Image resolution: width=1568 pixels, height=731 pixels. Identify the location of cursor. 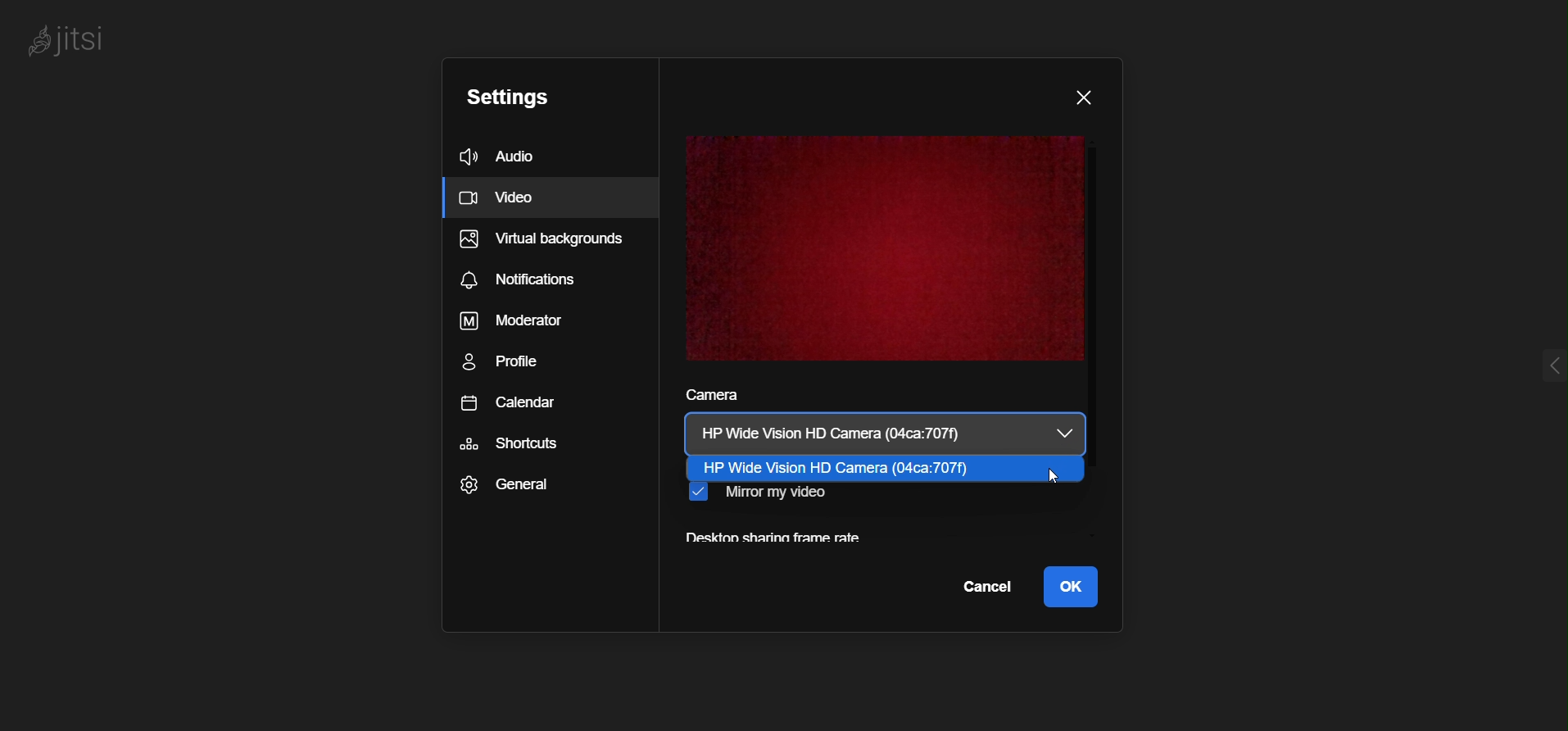
(1058, 477).